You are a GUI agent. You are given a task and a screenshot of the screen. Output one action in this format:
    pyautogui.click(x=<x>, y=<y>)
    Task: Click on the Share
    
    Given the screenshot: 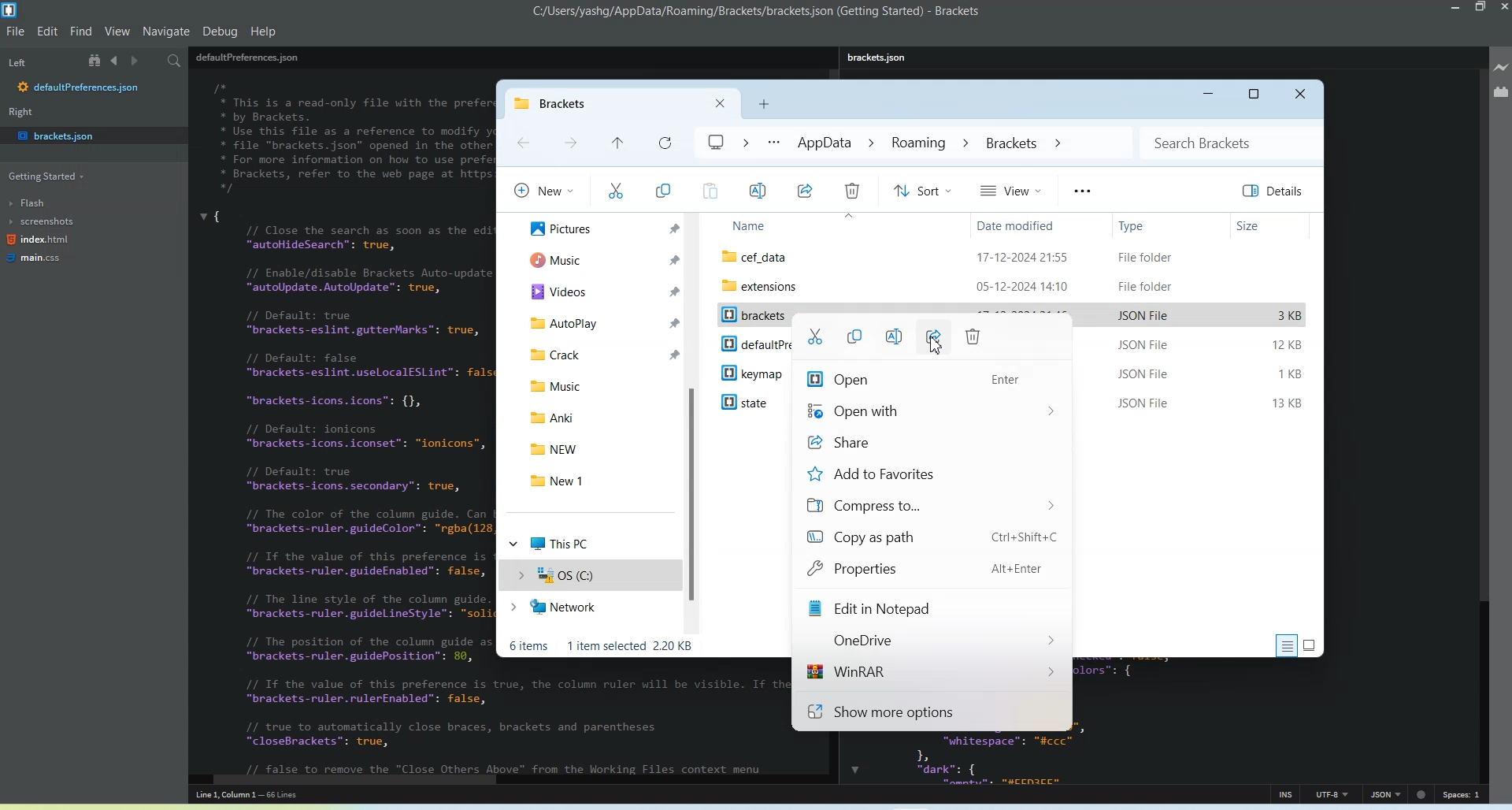 What is the action you would take?
    pyautogui.click(x=932, y=337)
    